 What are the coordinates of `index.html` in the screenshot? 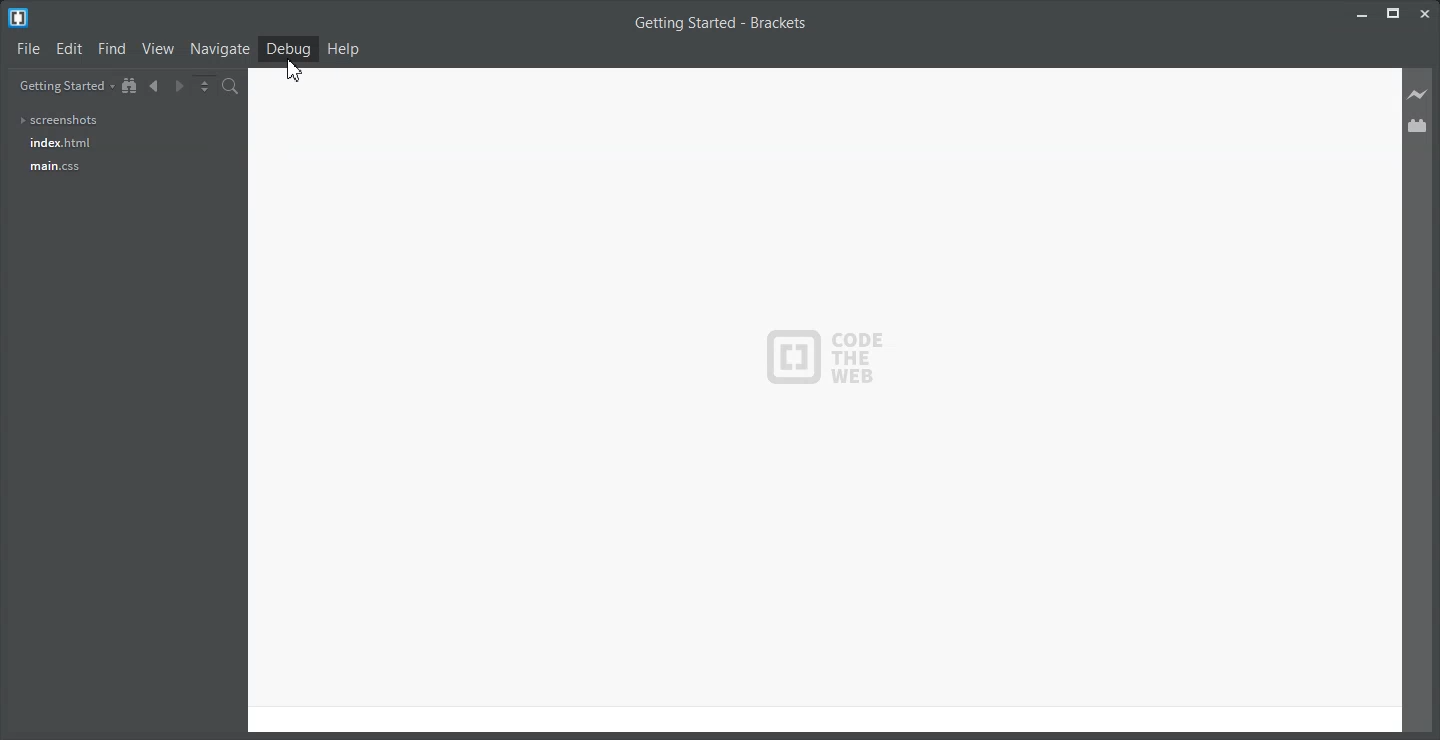 It's located at (59, 142).